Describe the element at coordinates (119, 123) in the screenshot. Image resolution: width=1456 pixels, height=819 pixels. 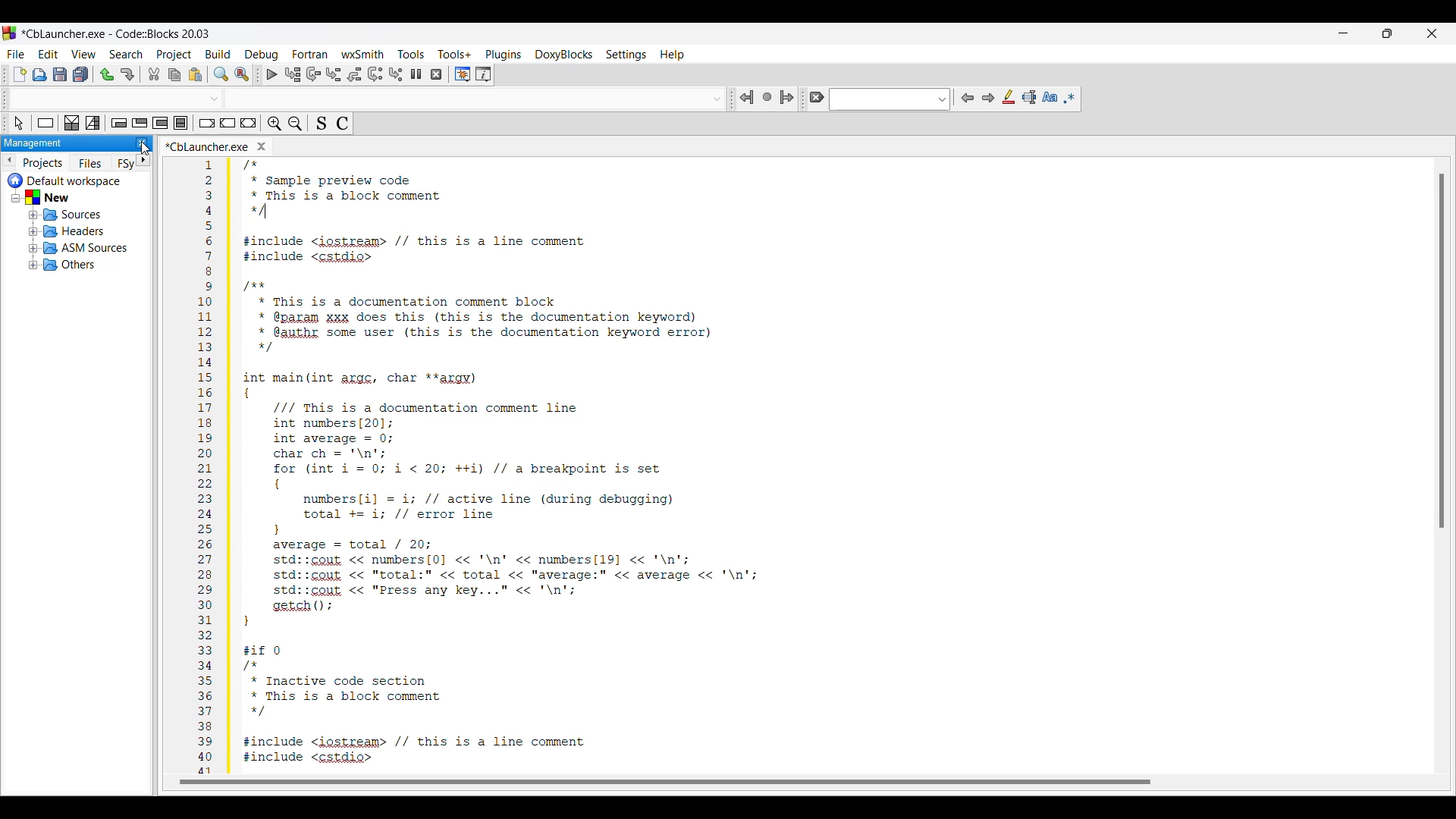
I see `Entry-condition loop` at that location.